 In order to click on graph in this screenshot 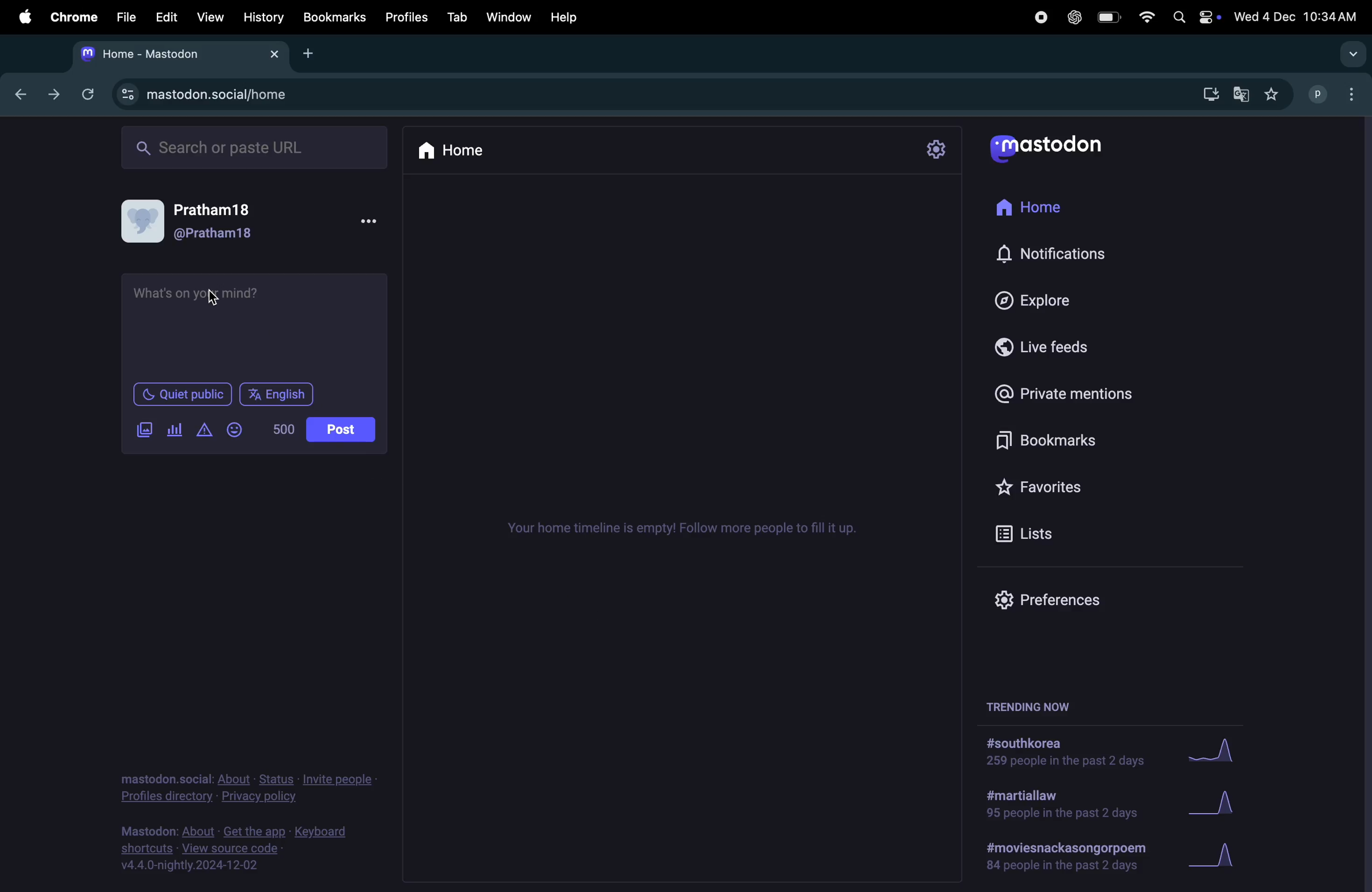, I will do `click(1220, 856)`.